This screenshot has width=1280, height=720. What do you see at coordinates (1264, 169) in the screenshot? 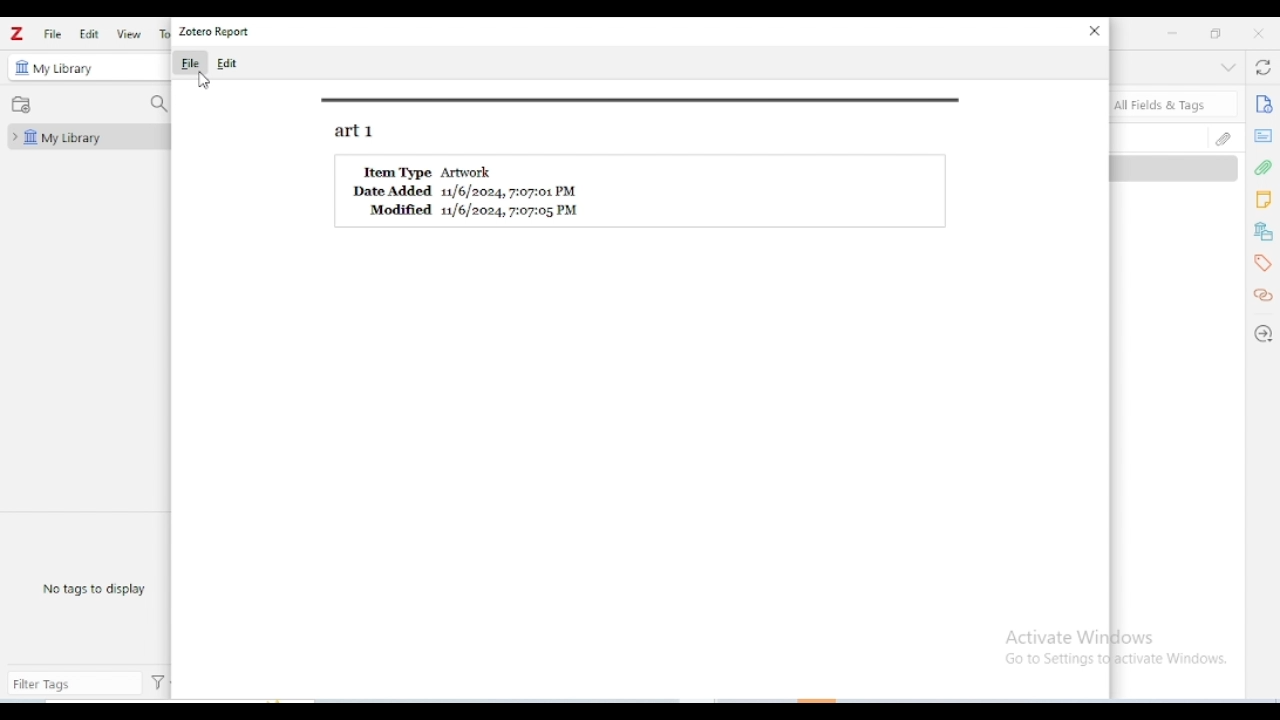
I see `attachments` at bounding box center [1264, 169].